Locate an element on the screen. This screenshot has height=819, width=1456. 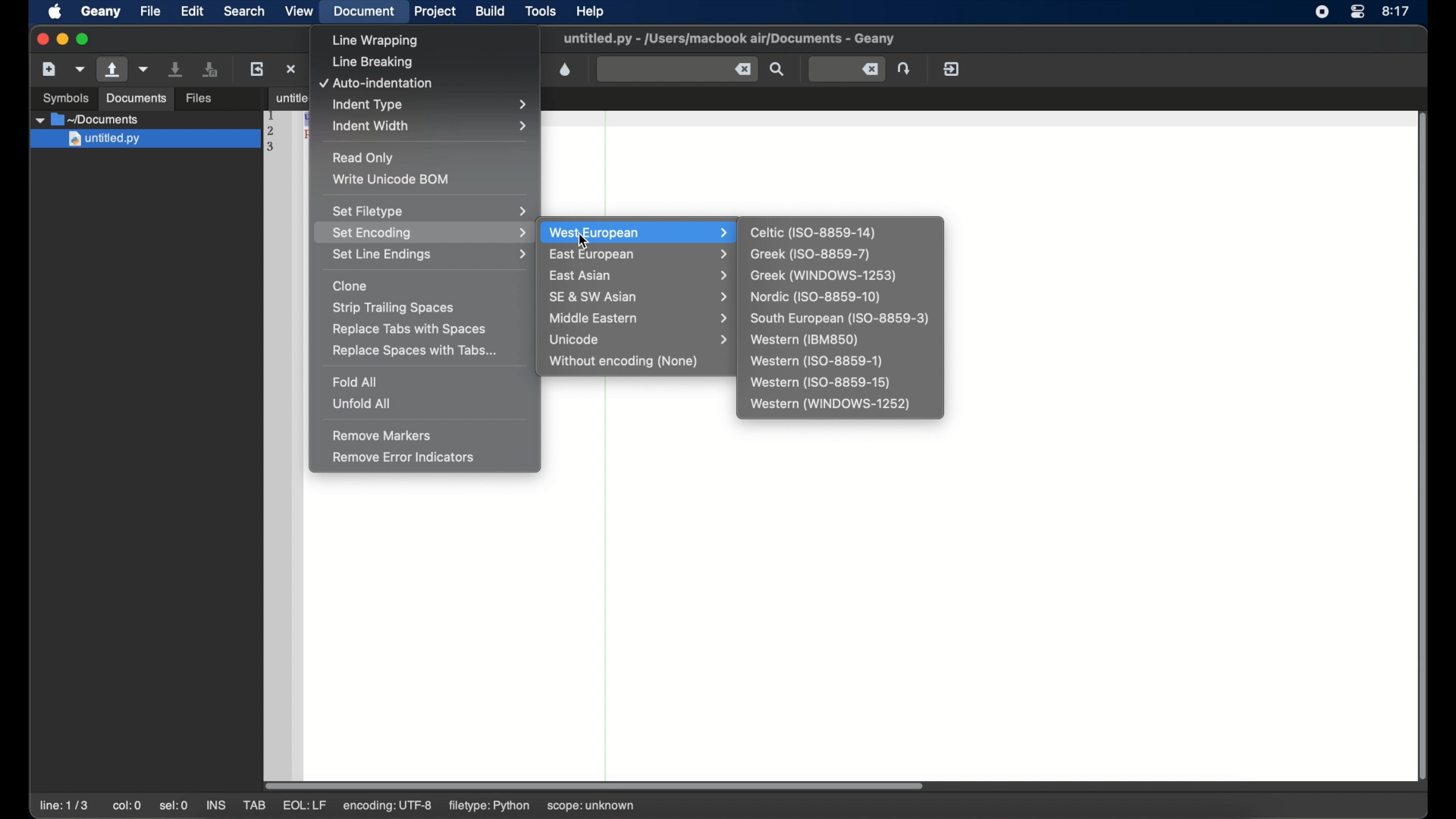
create a new file from template is located at coordinates (80, 70).